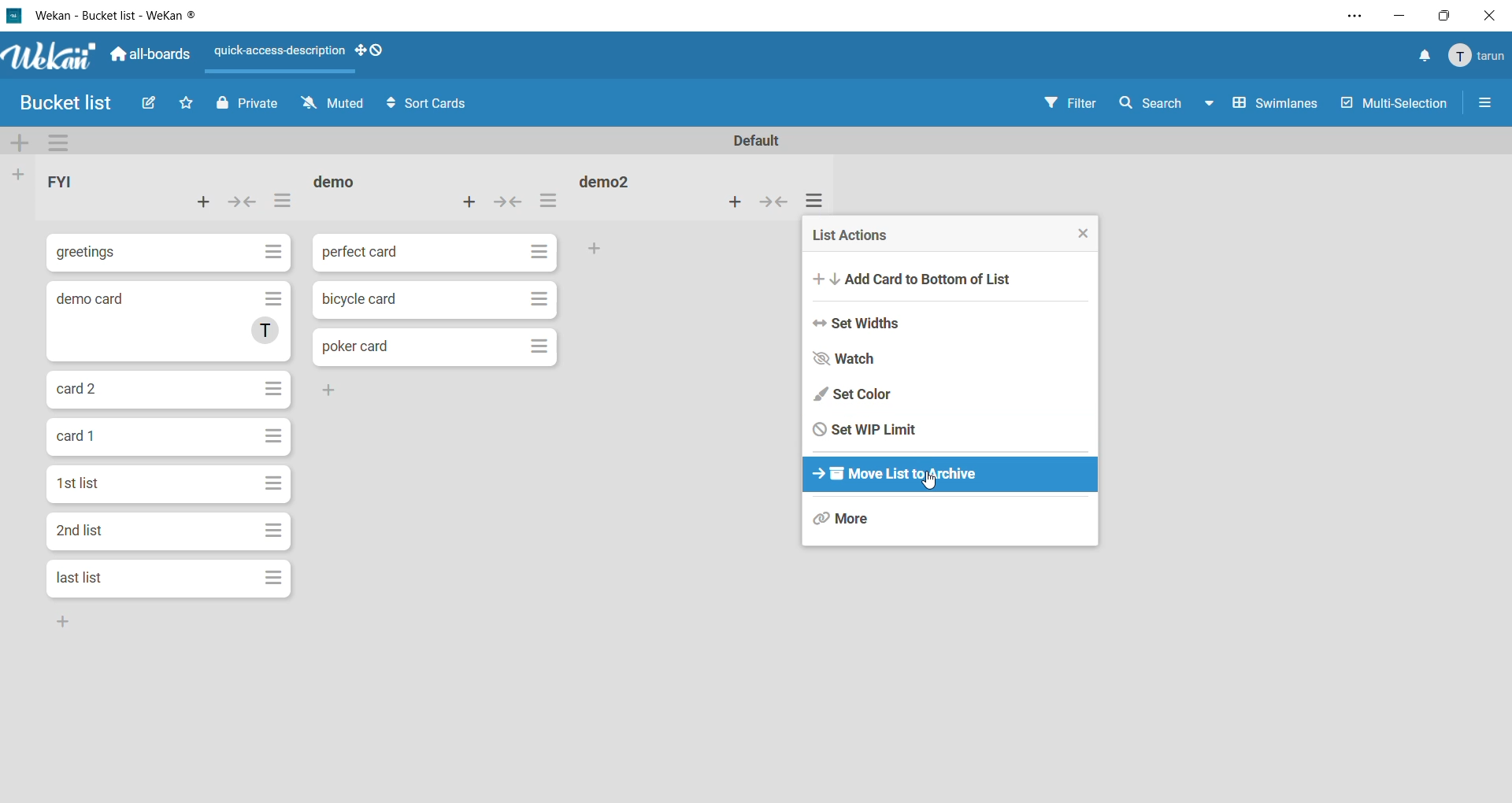  What do you see at coordinates (1399, 16) in the screenshot?
I see `minimize` at bounding box center [1399, 16].